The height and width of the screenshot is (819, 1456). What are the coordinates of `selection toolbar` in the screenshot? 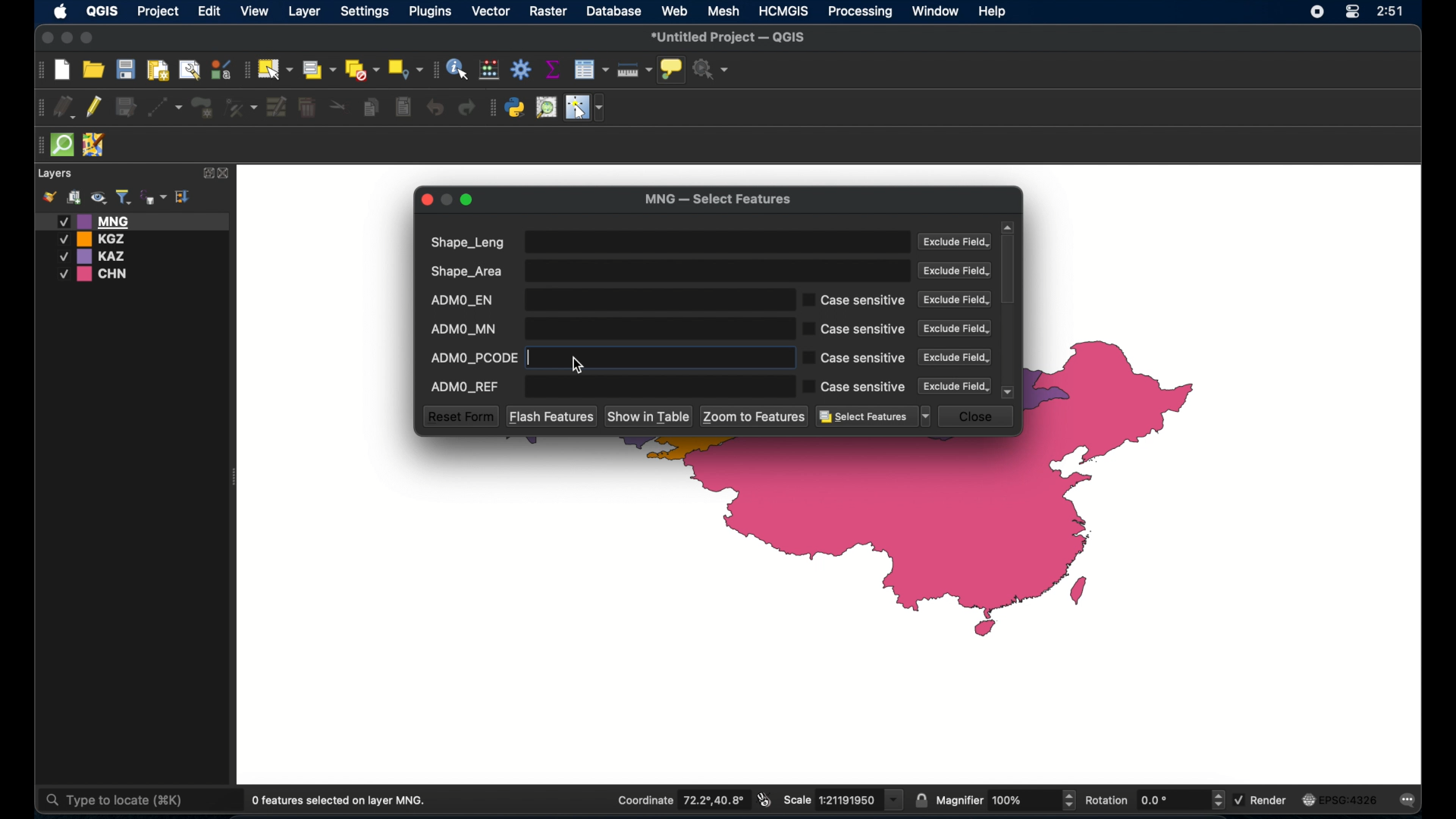 It's located at (245, 68).